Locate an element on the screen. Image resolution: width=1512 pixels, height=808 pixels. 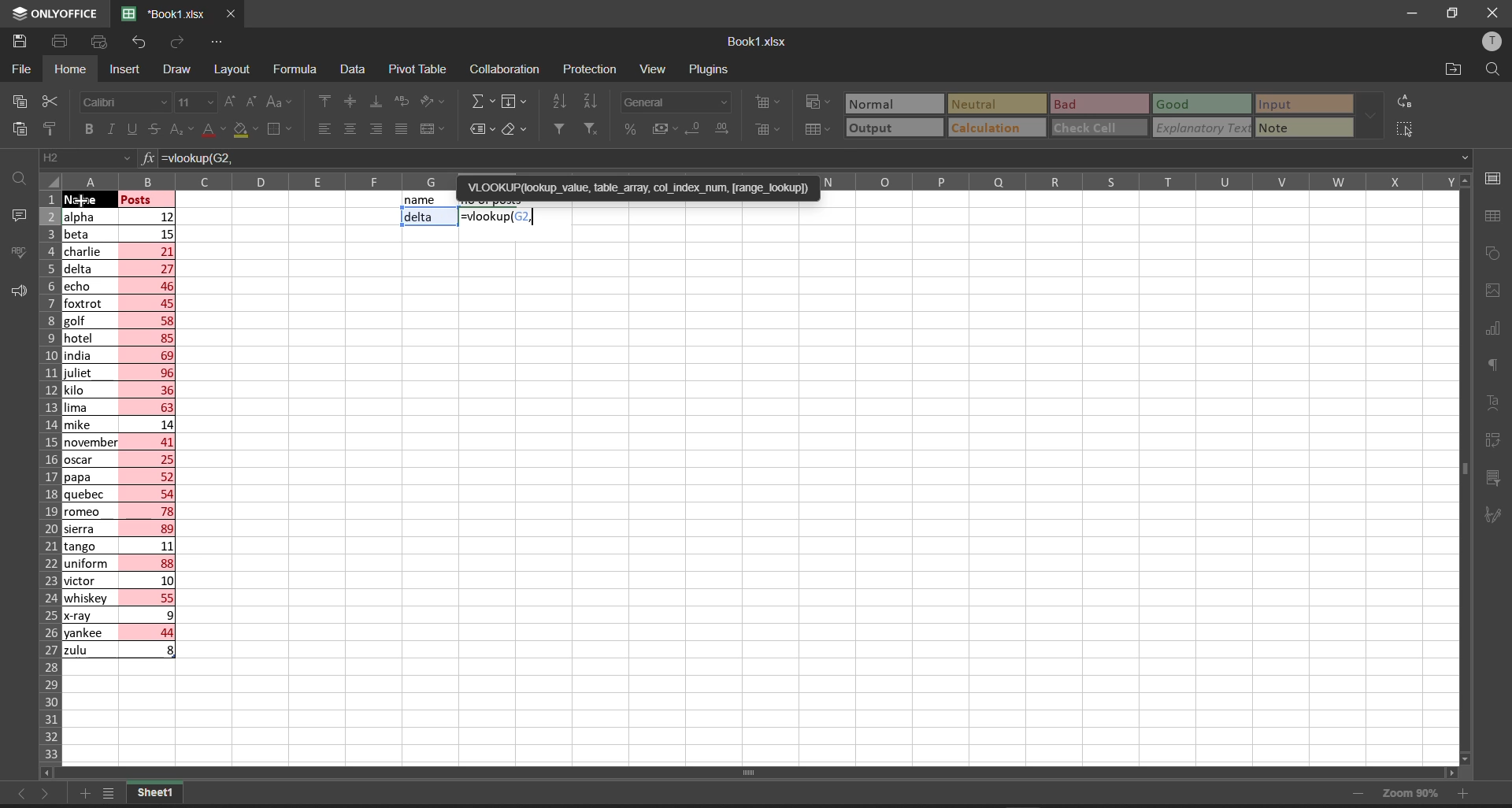
Normal is located at coordinates (881, 103).